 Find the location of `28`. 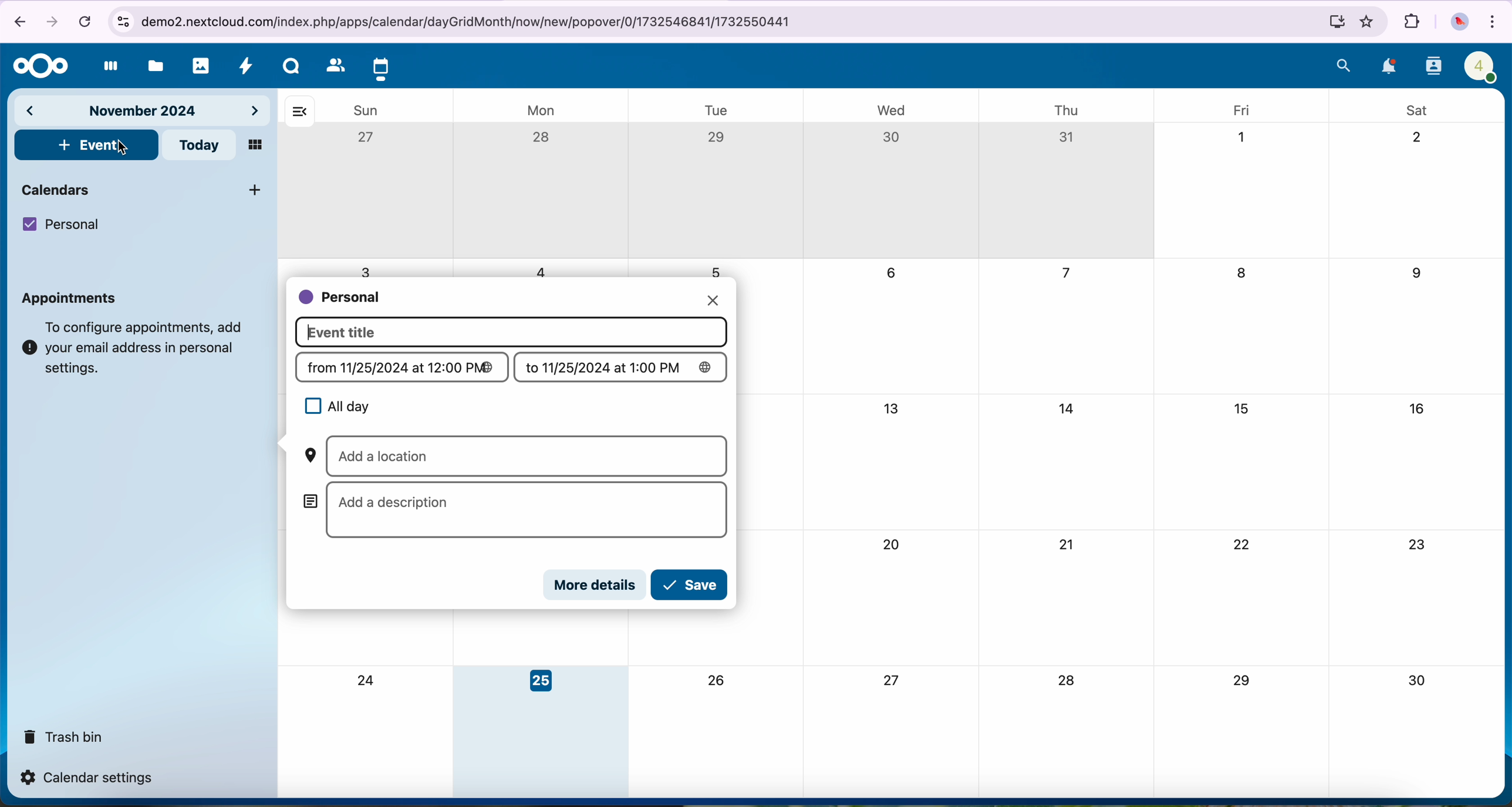

28 is located at coordinates (1067, 682).